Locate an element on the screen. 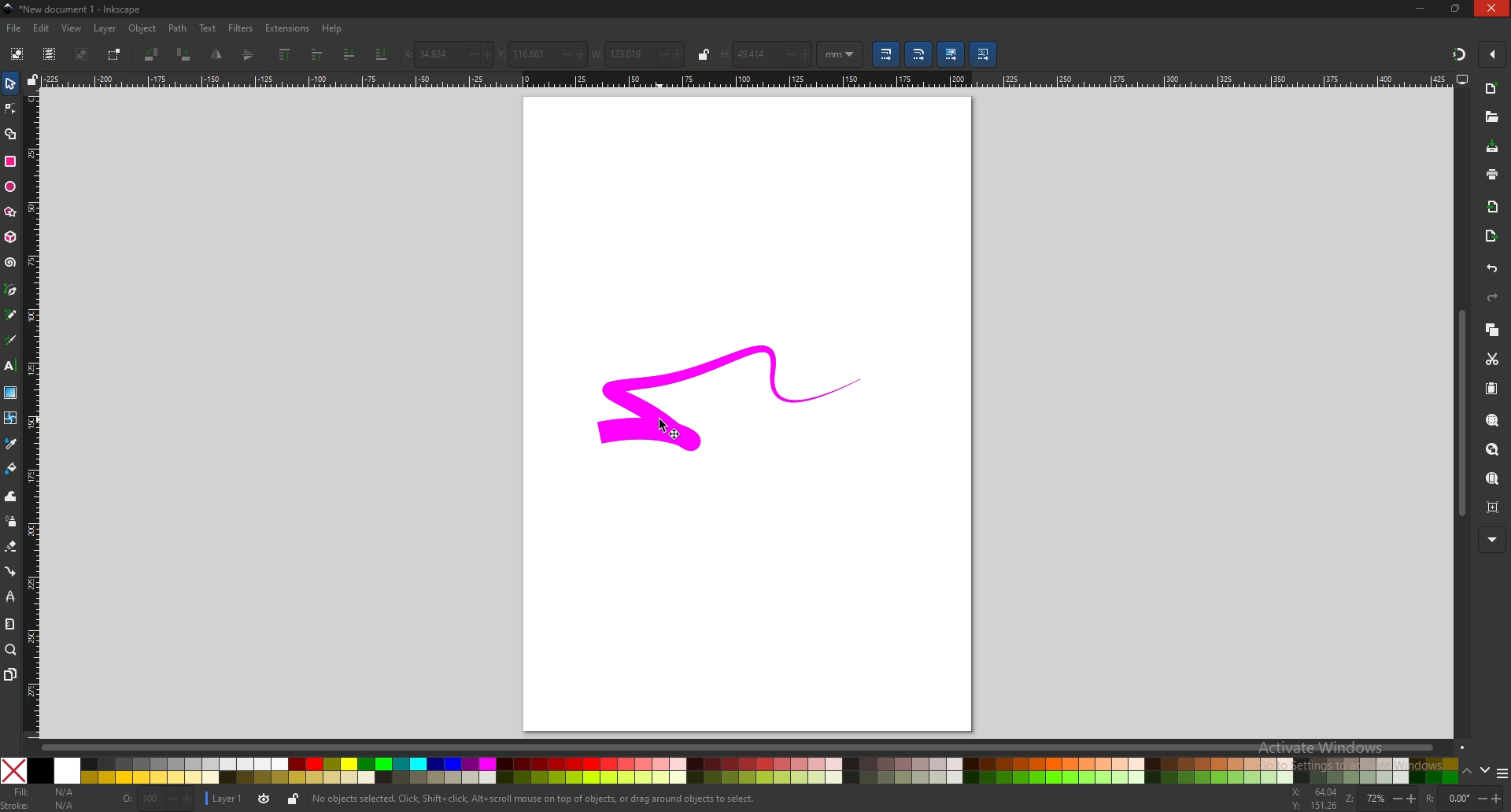 This screenshot has width=1511, height=812. file is located at coordinates (14, 29).